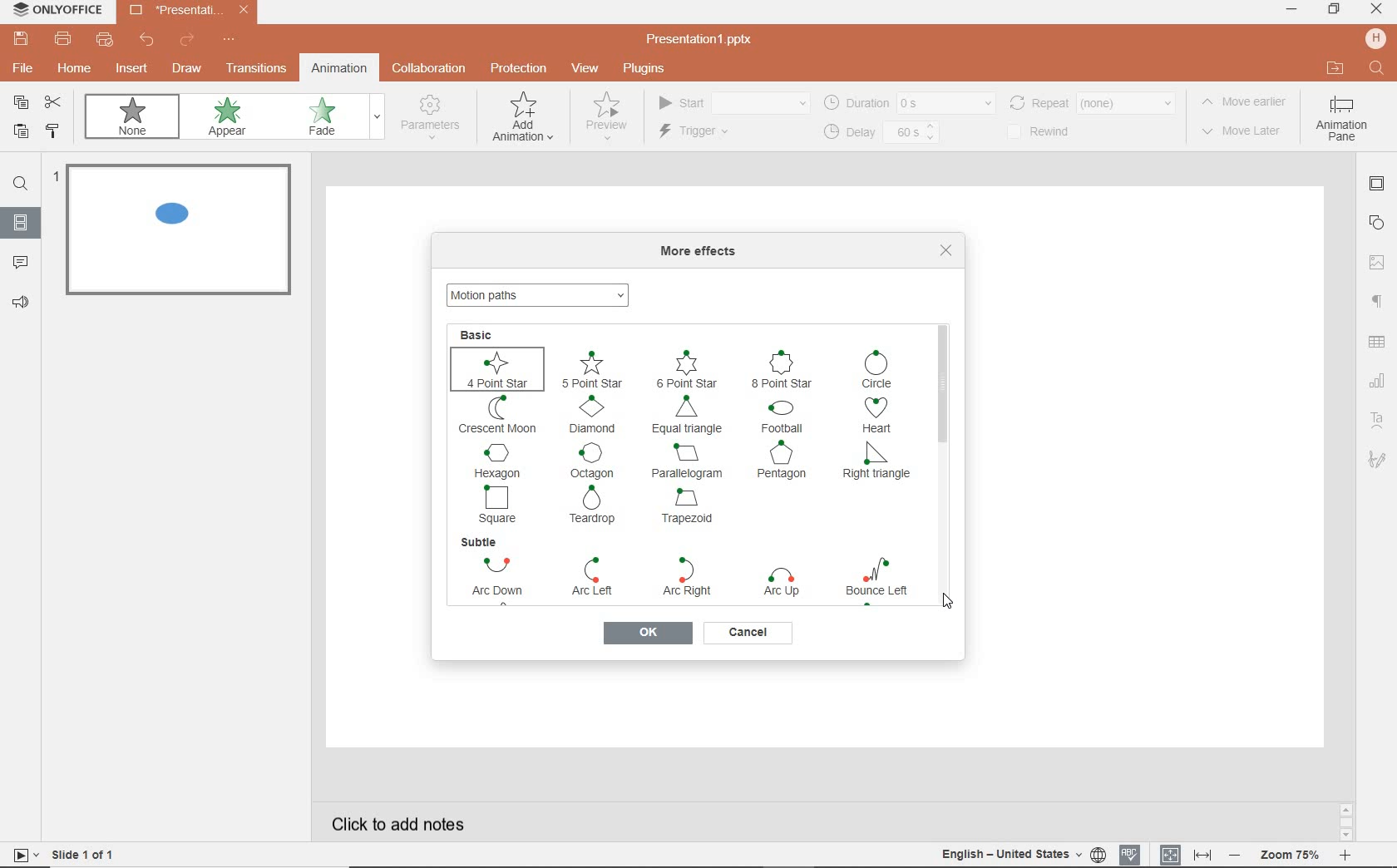 This screenshot has width=1397, height=868. Describe the element at coordinates (1246, 132) in the screenshot. I see `move later` at that location.